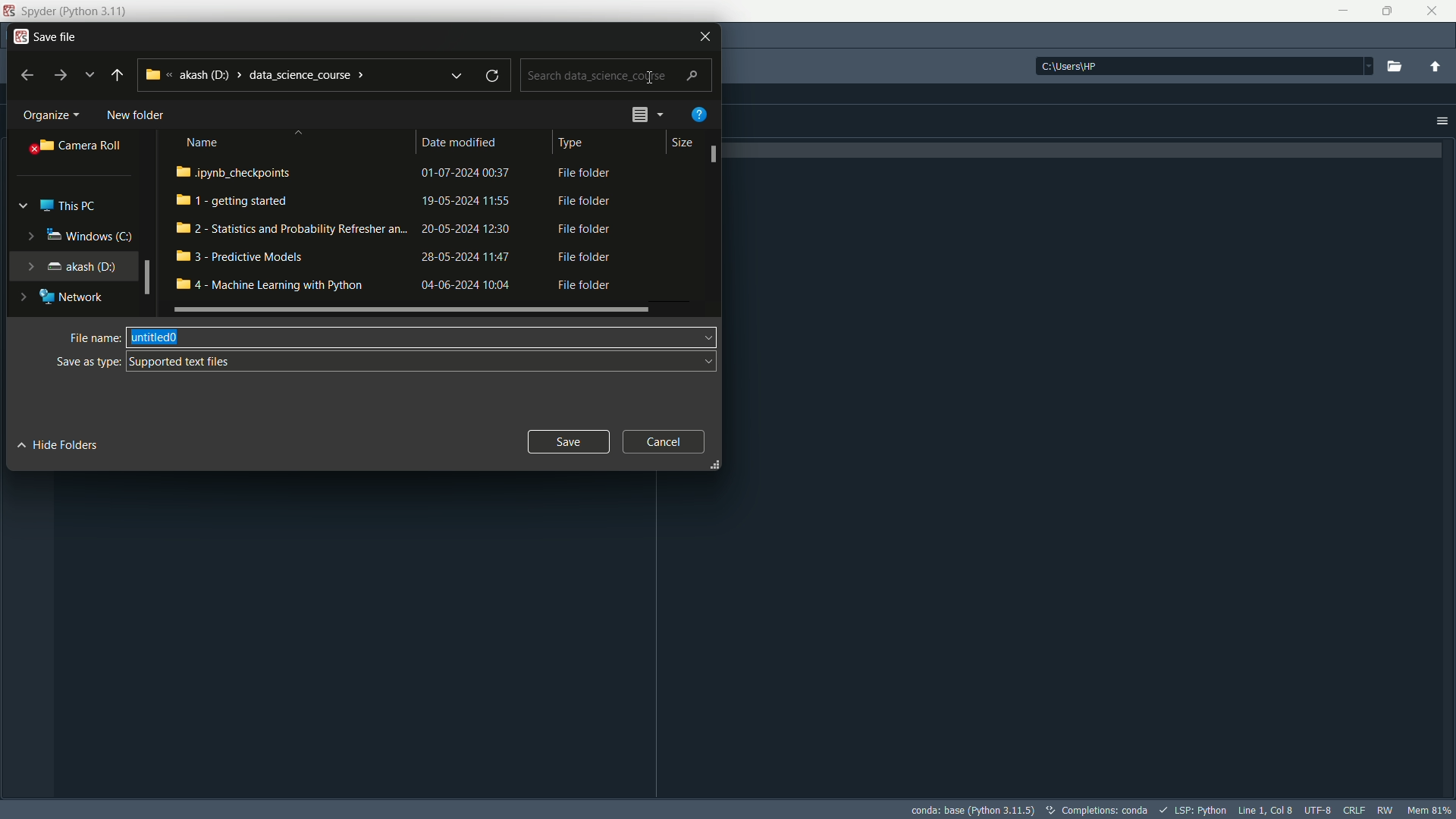 The width and height of the screenshot is (1456, 819). Describe the element at coordinates (423, 361) in the screenshot. I see `save as type` at that location.